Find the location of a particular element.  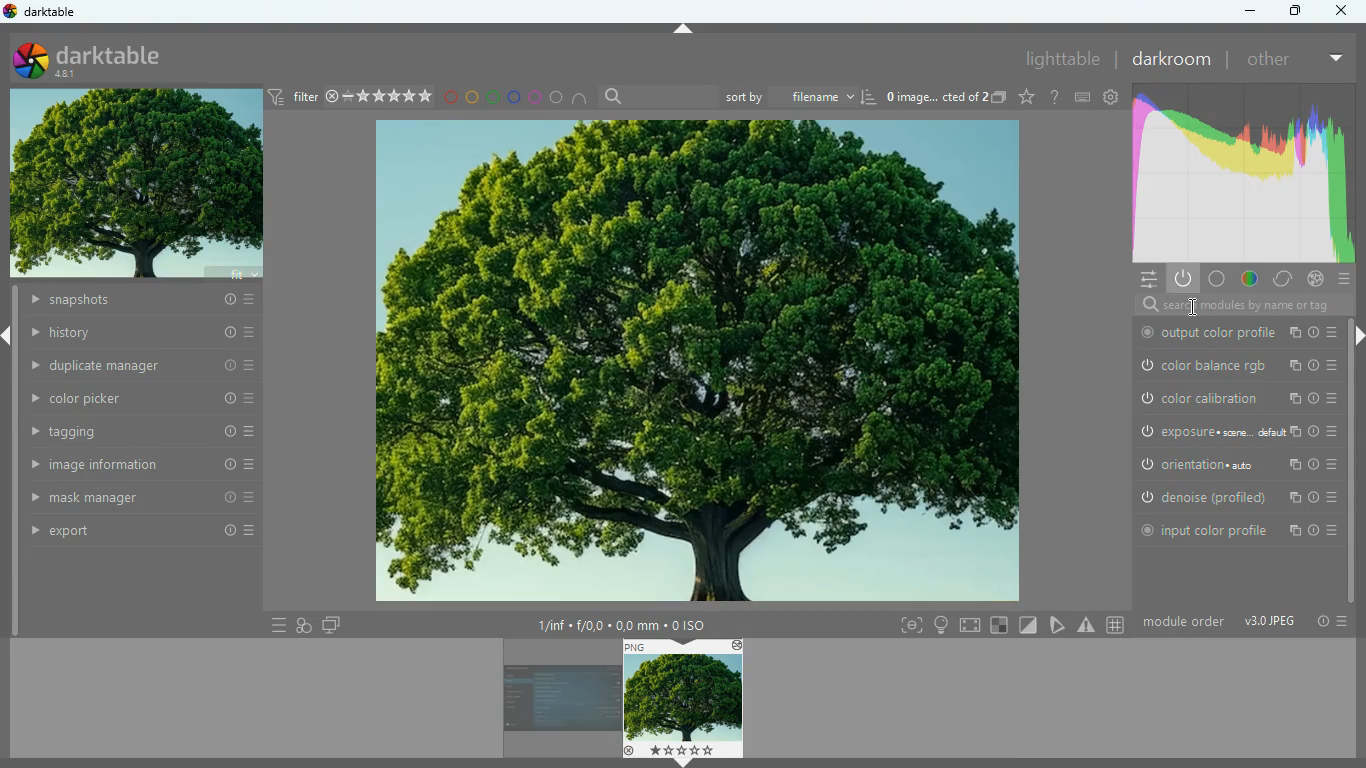

color is located at coordinates (1245, 279).